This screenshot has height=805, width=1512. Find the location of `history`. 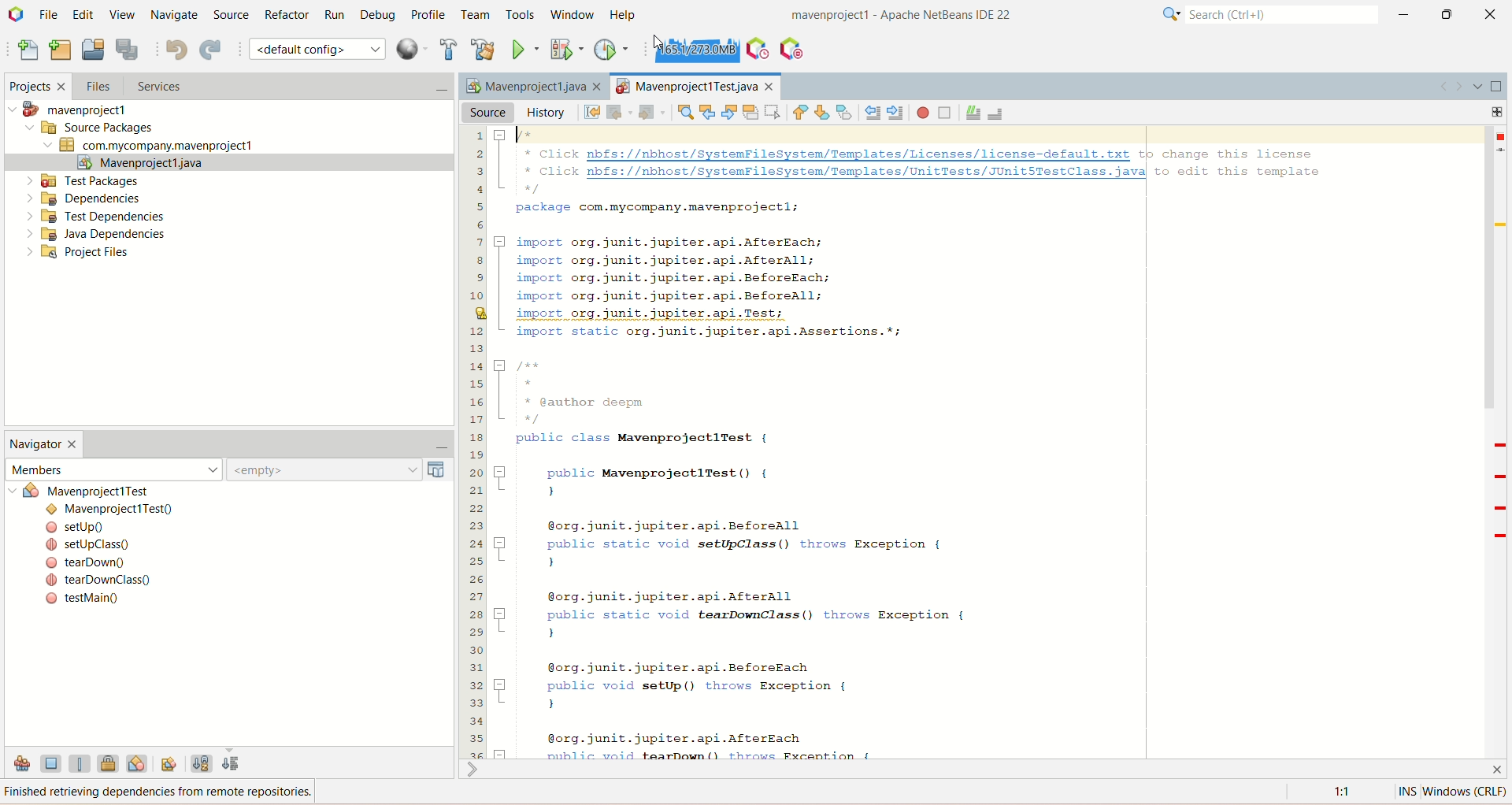

history is located at coordinates (547, 112).